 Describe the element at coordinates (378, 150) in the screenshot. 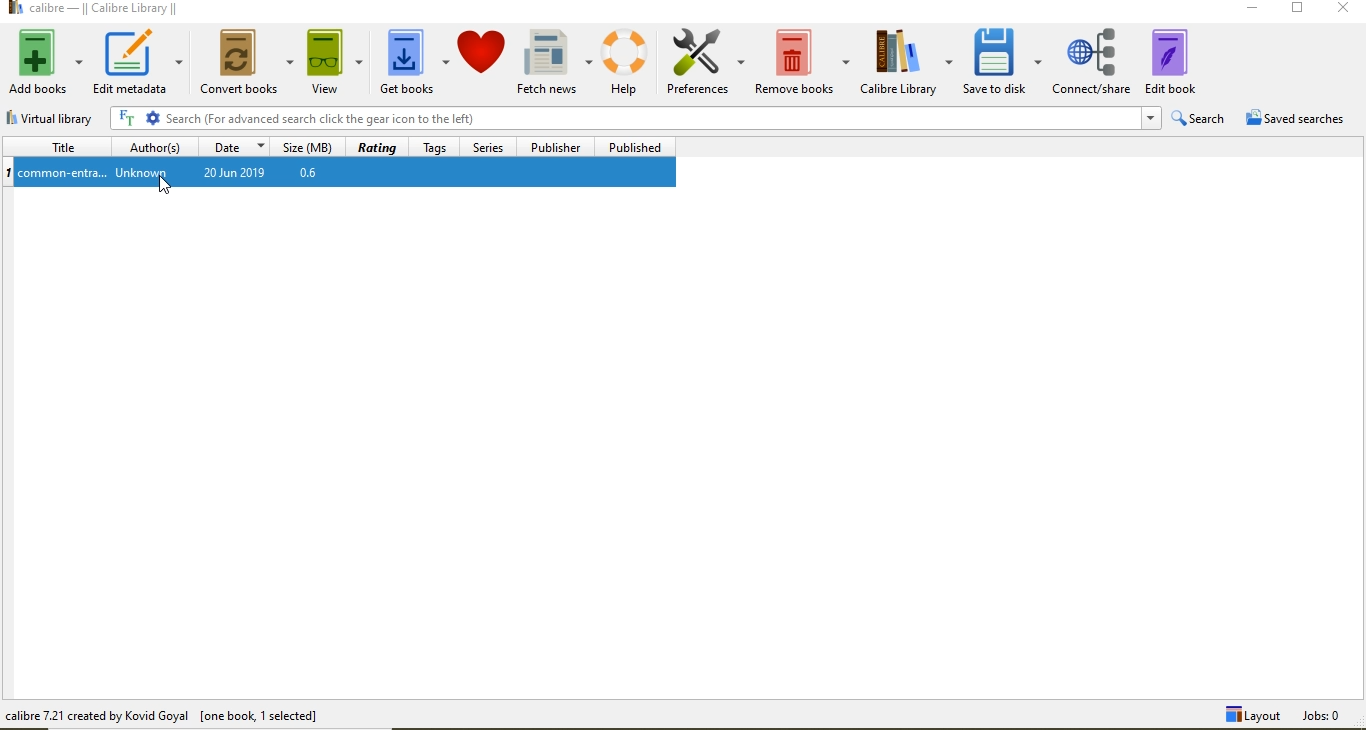

I see `rating` at that location.